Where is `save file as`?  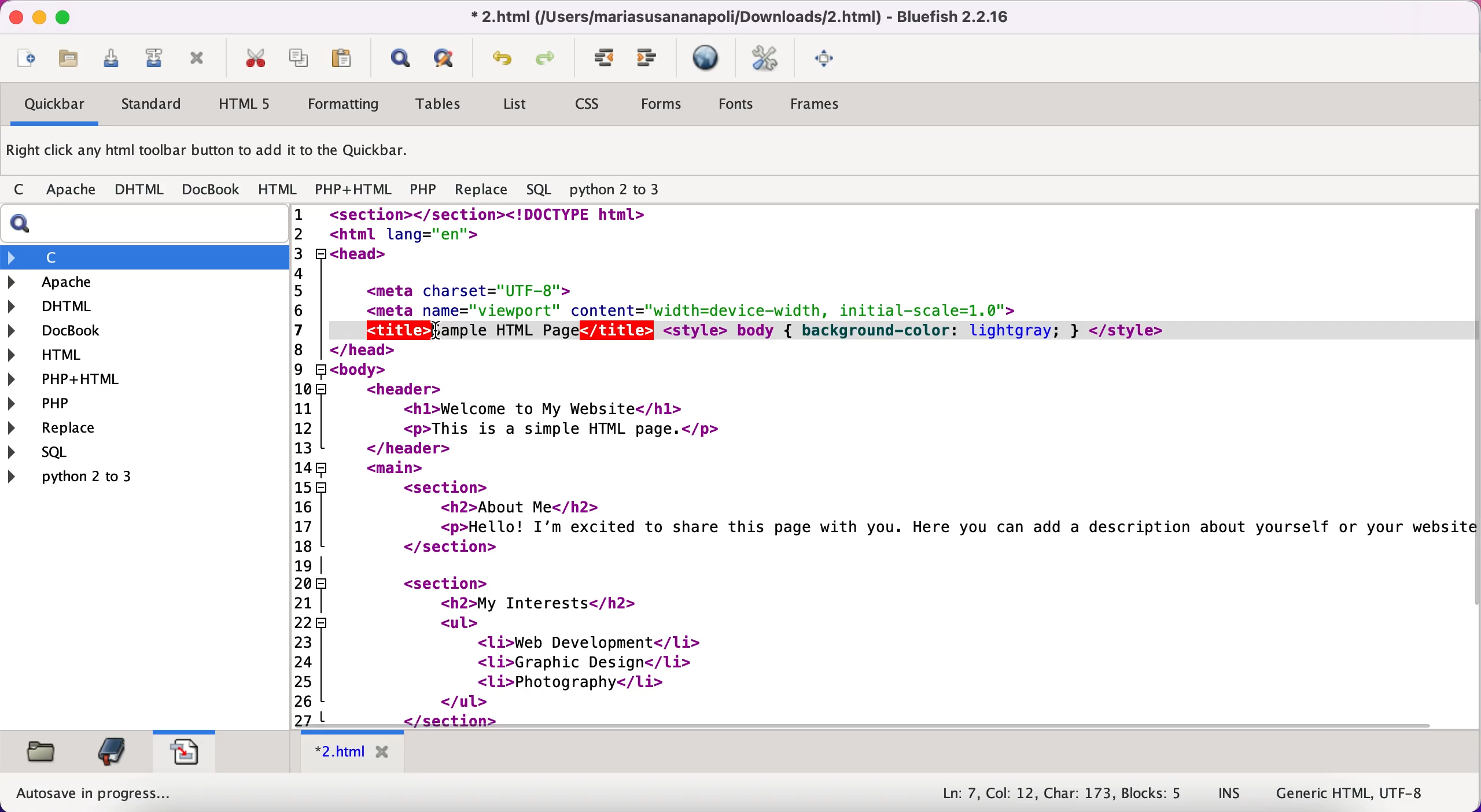 save file as is located at coordinates (153, 58).